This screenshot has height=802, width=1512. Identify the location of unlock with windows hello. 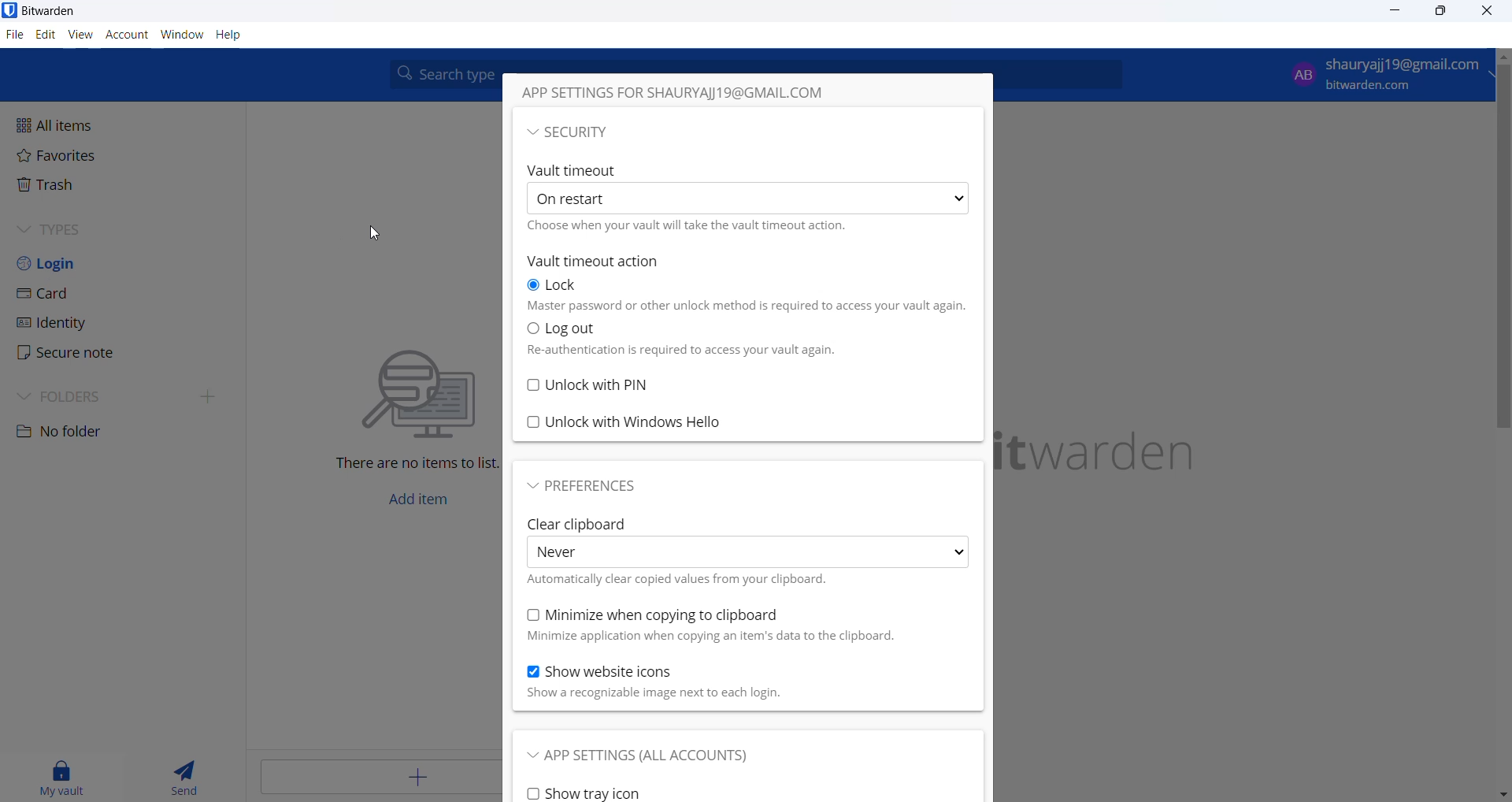
(662, 424).